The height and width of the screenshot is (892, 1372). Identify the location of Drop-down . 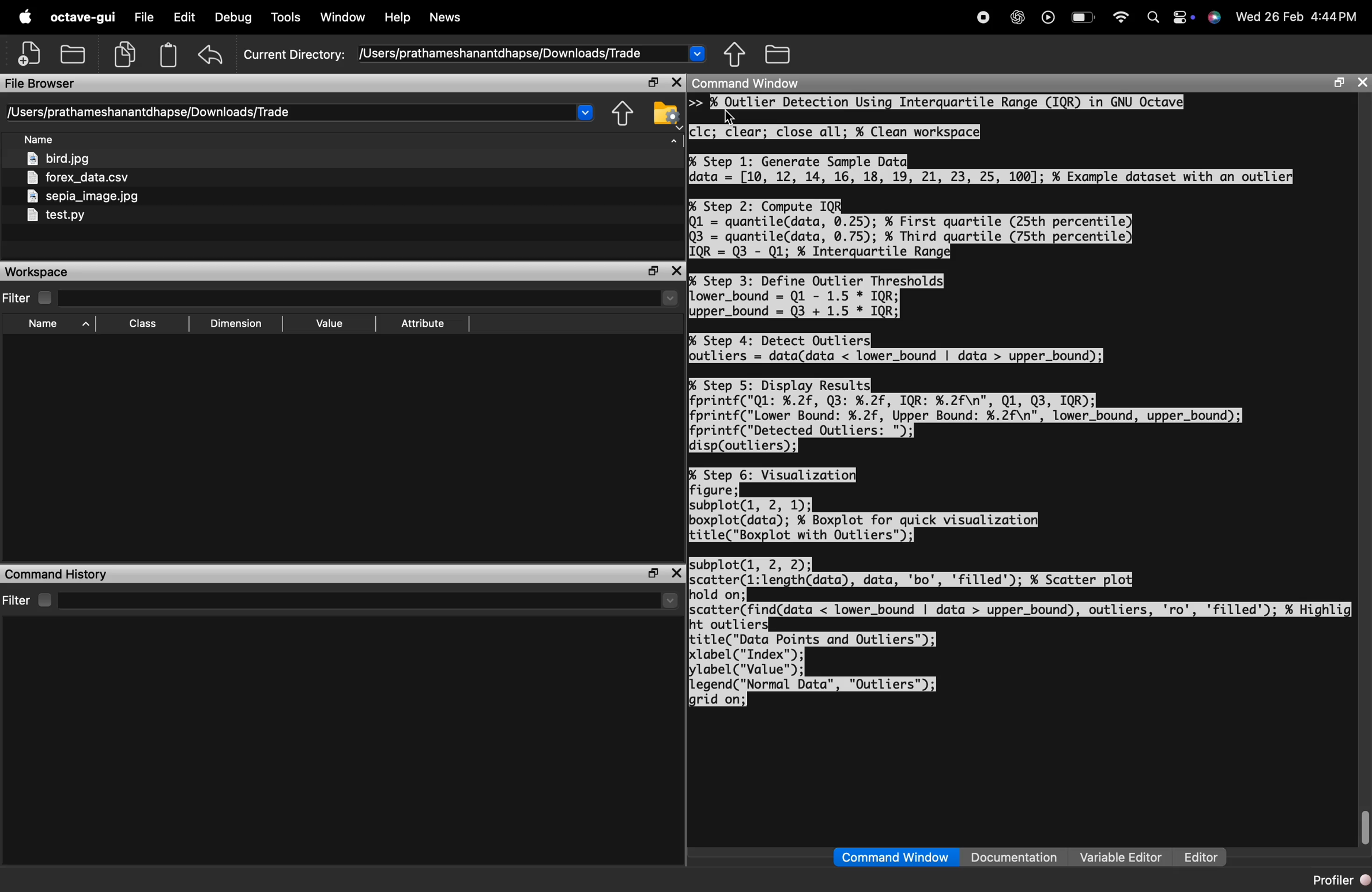
(670, 297).